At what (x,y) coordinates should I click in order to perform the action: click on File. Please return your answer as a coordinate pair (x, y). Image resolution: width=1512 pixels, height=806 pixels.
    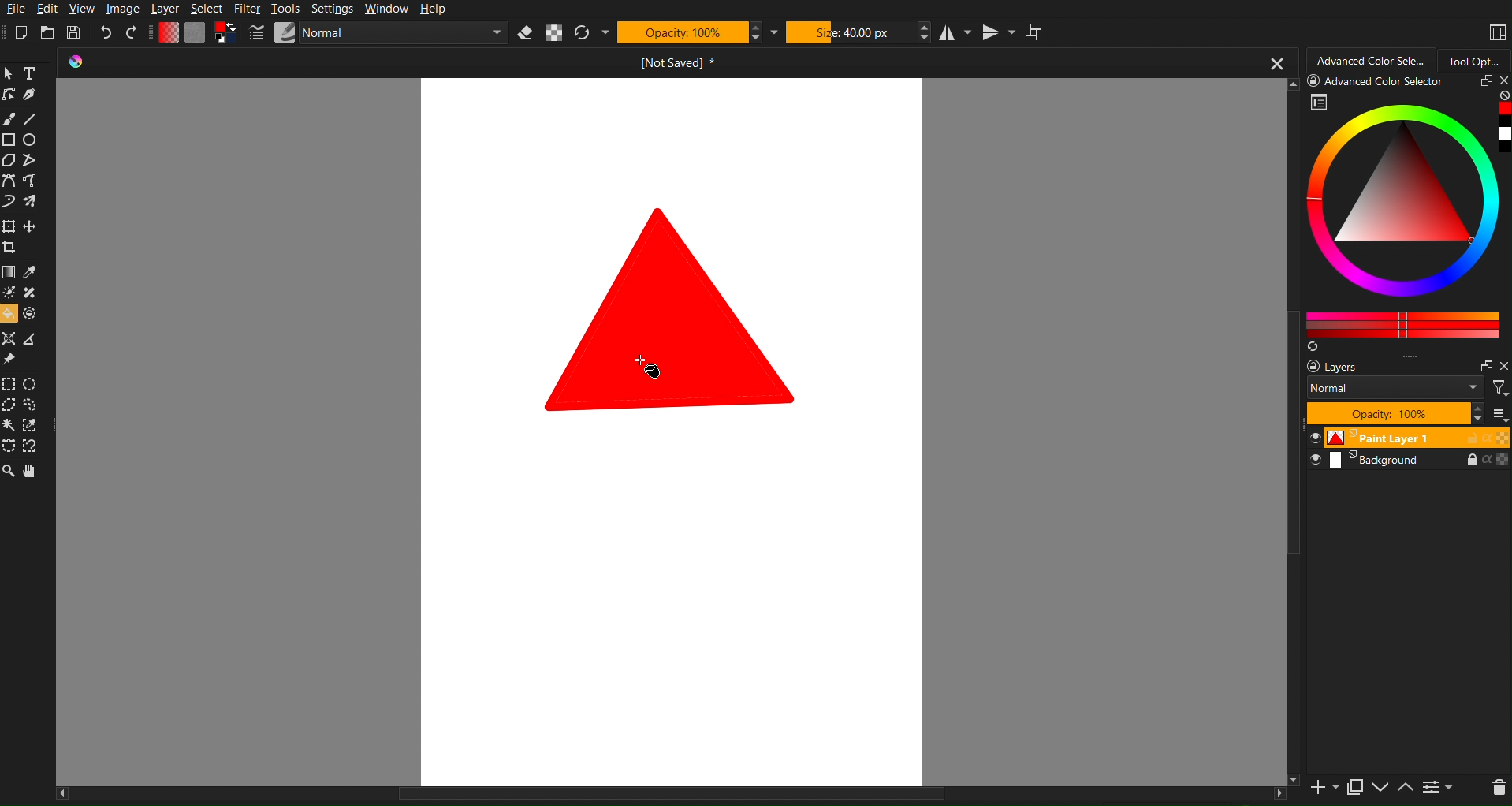
    Looking at the image, I should click on (15, 9).